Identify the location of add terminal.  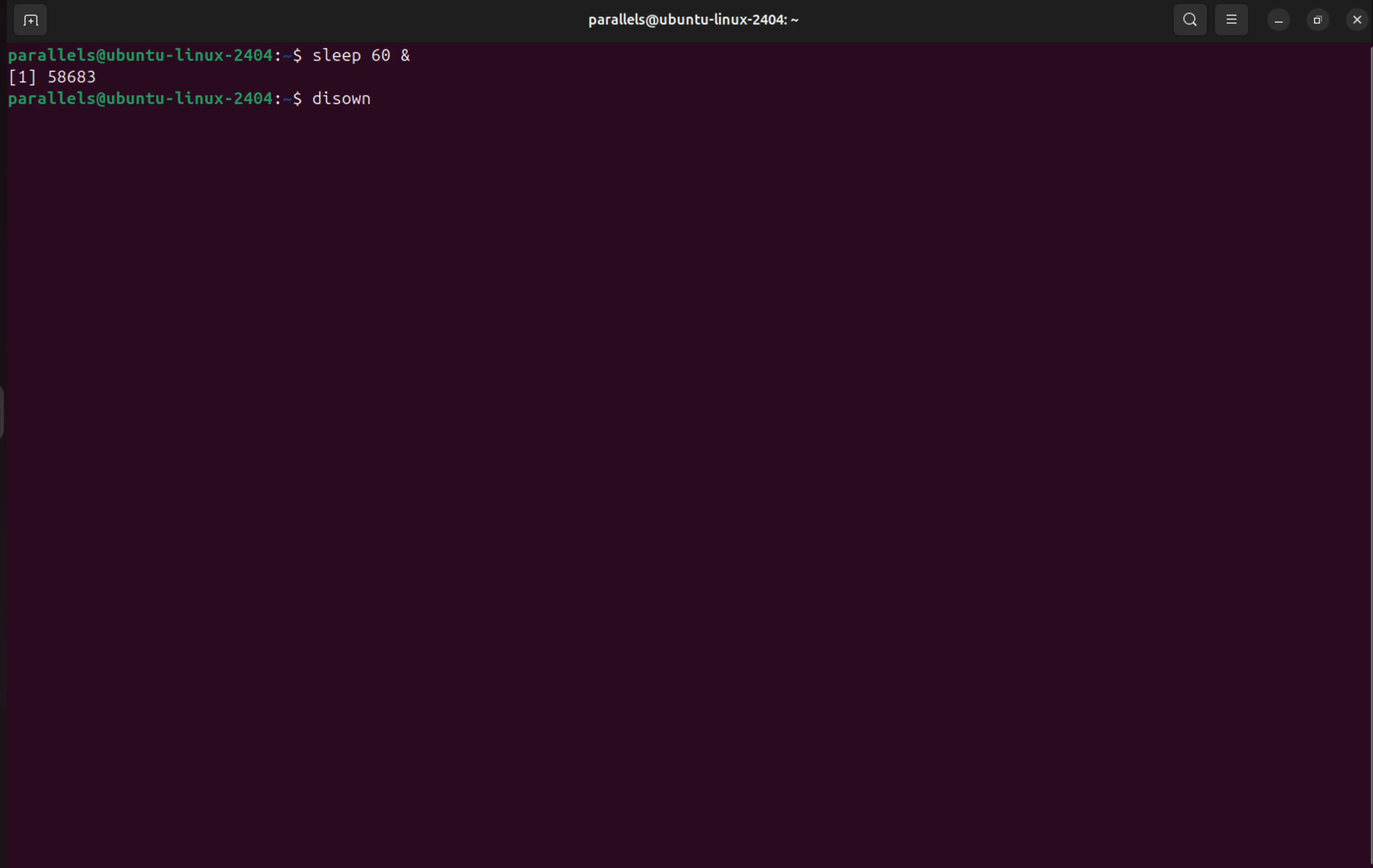
(28, 22).